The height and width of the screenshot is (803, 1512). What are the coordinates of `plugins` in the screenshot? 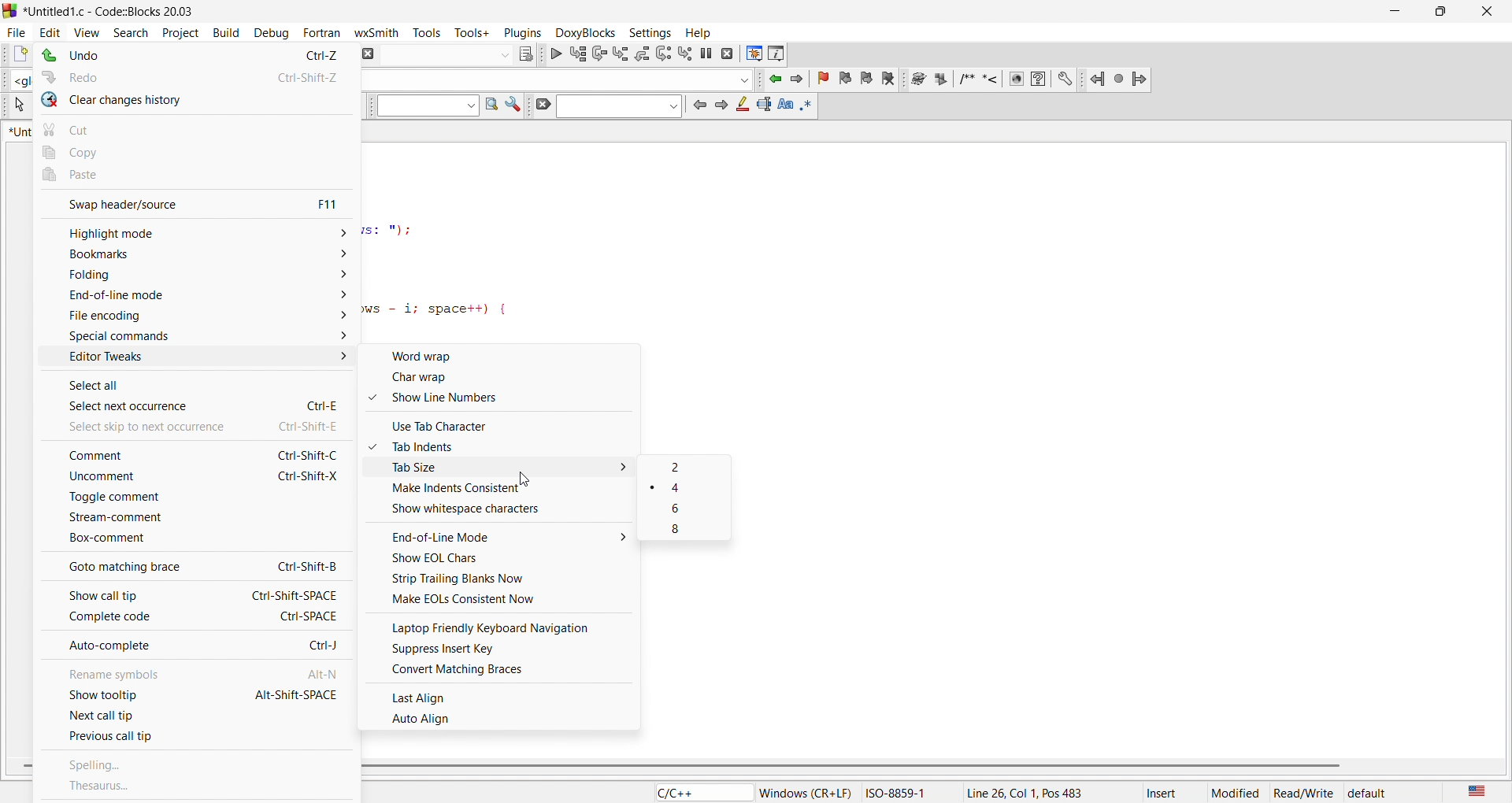 It's located at (521, 31).